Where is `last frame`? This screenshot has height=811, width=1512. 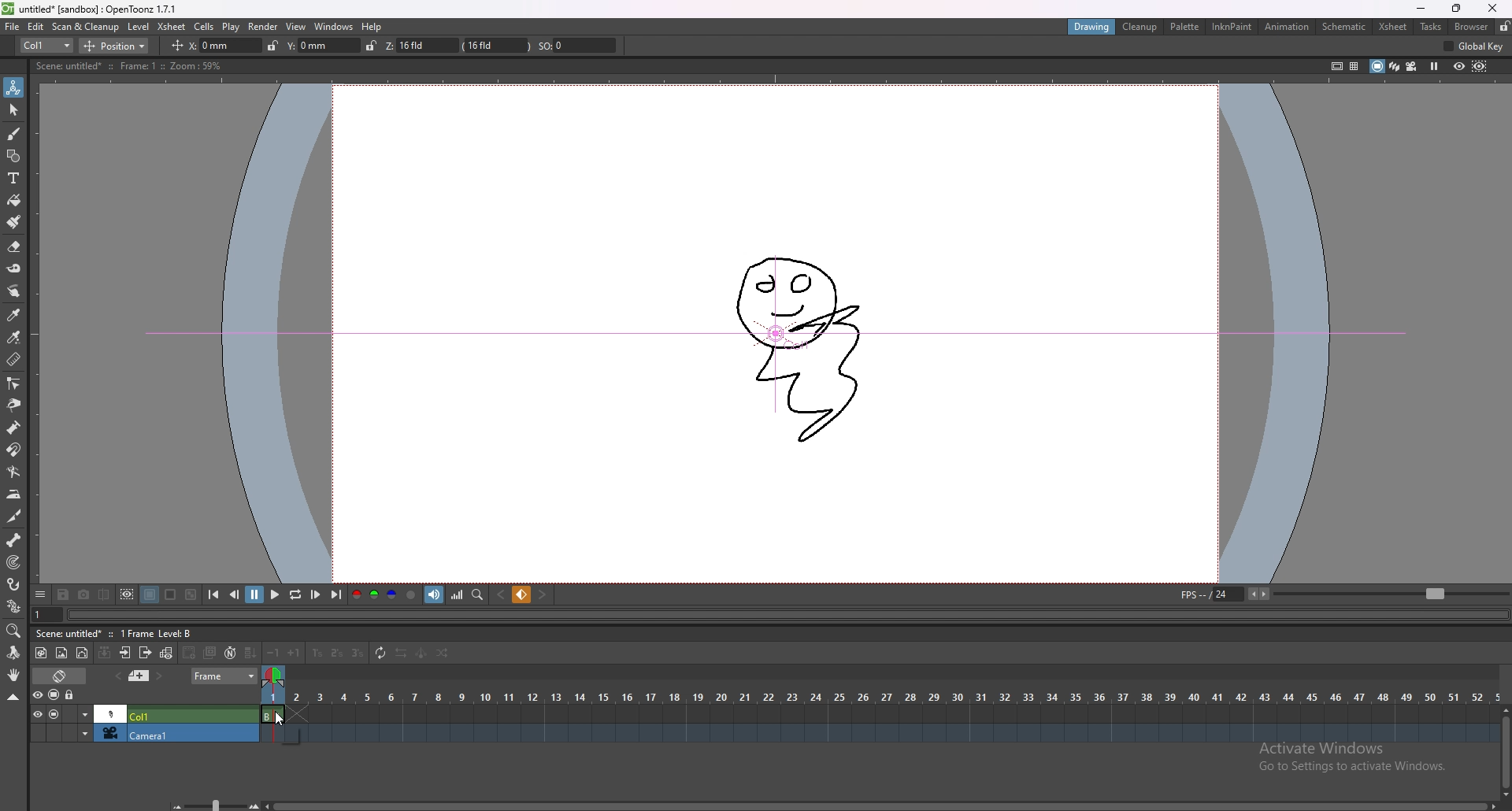 last frame is located at coordinates (335, 594).